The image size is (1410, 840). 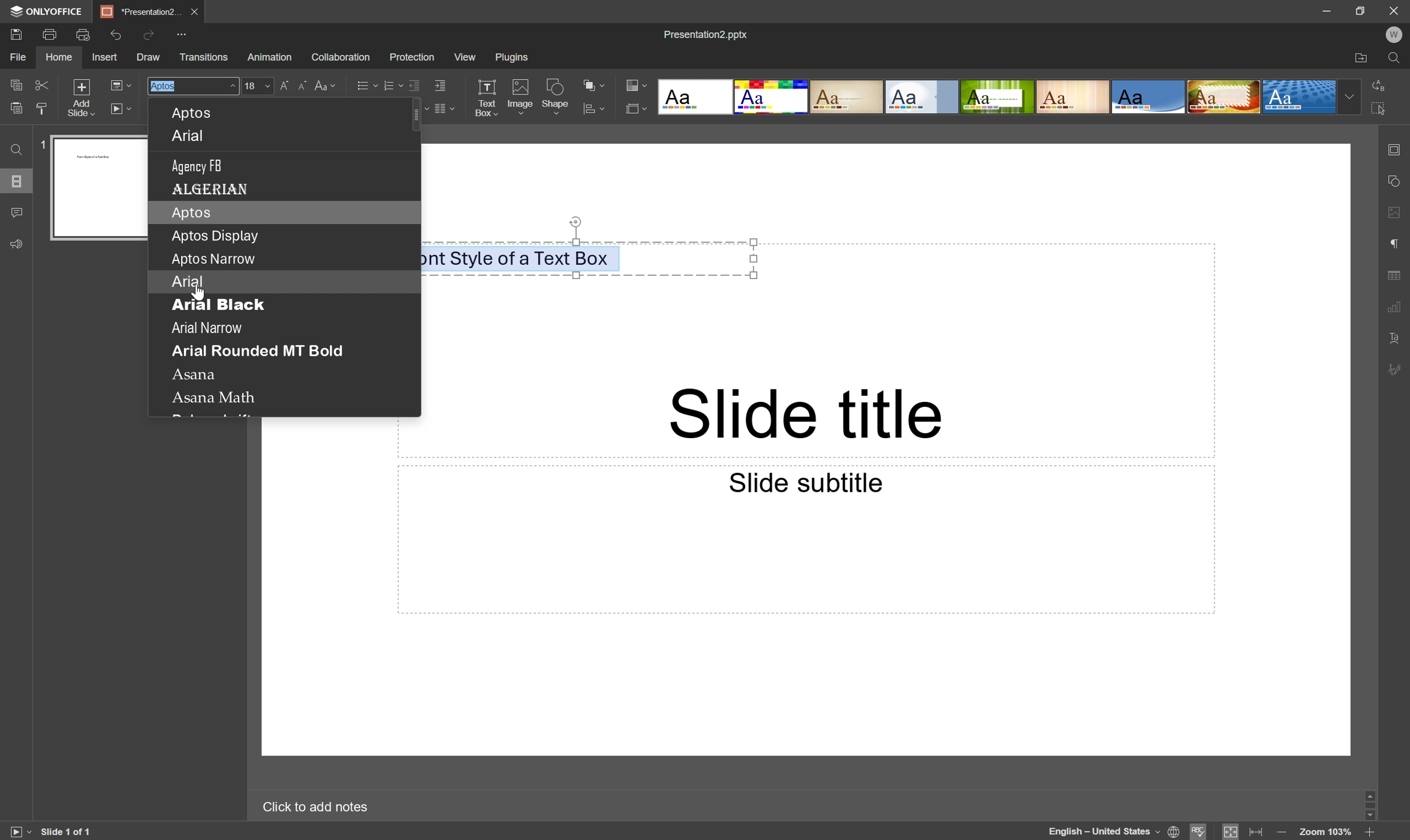 What do you see at coordinates (287, 84) in the screenshot?
I see `Increment font size` at bounding box center [287, 84].